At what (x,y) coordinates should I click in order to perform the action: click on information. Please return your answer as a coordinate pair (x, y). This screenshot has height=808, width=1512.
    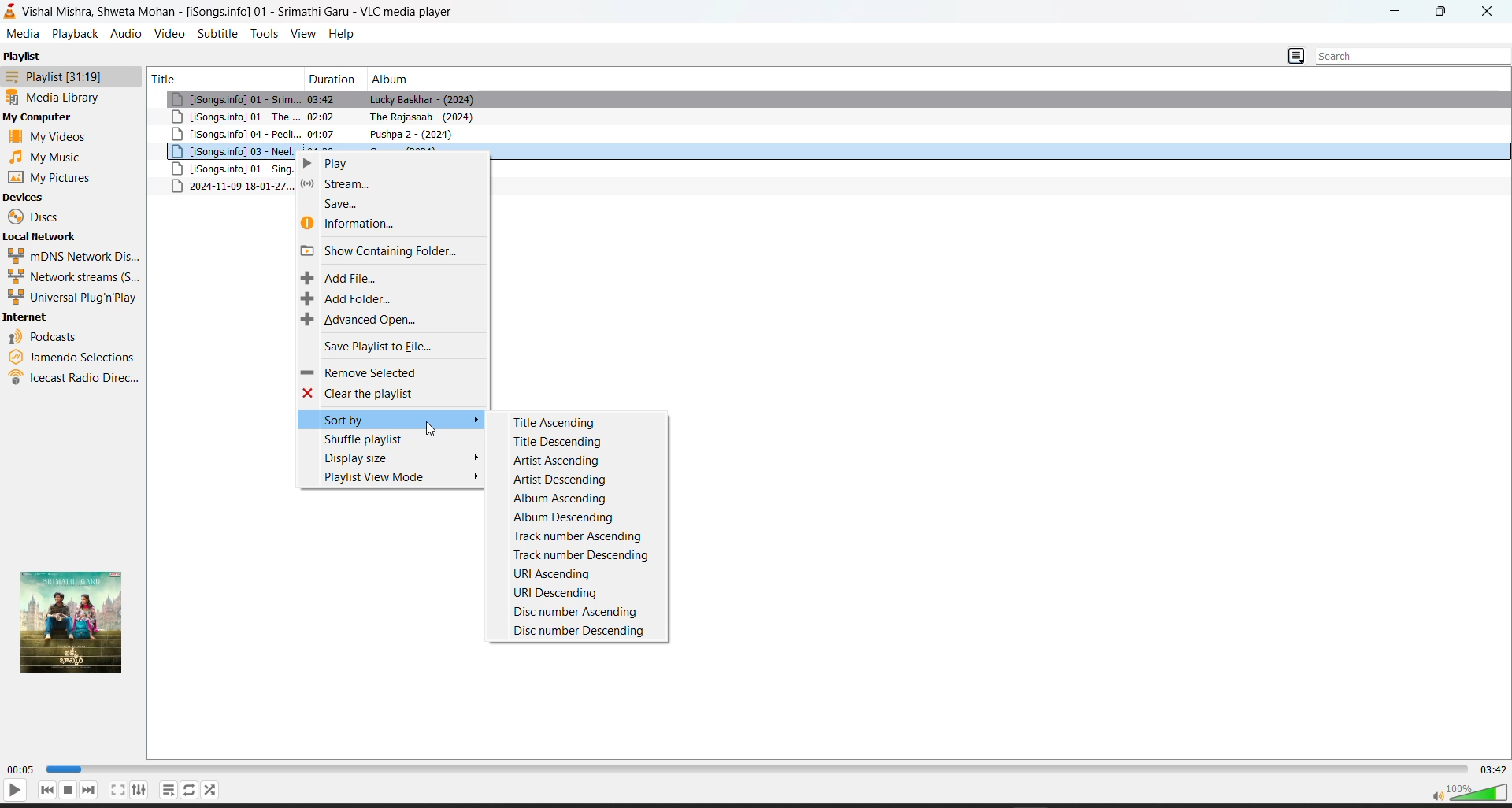
    Looking at the image, I should click on (393, 224).